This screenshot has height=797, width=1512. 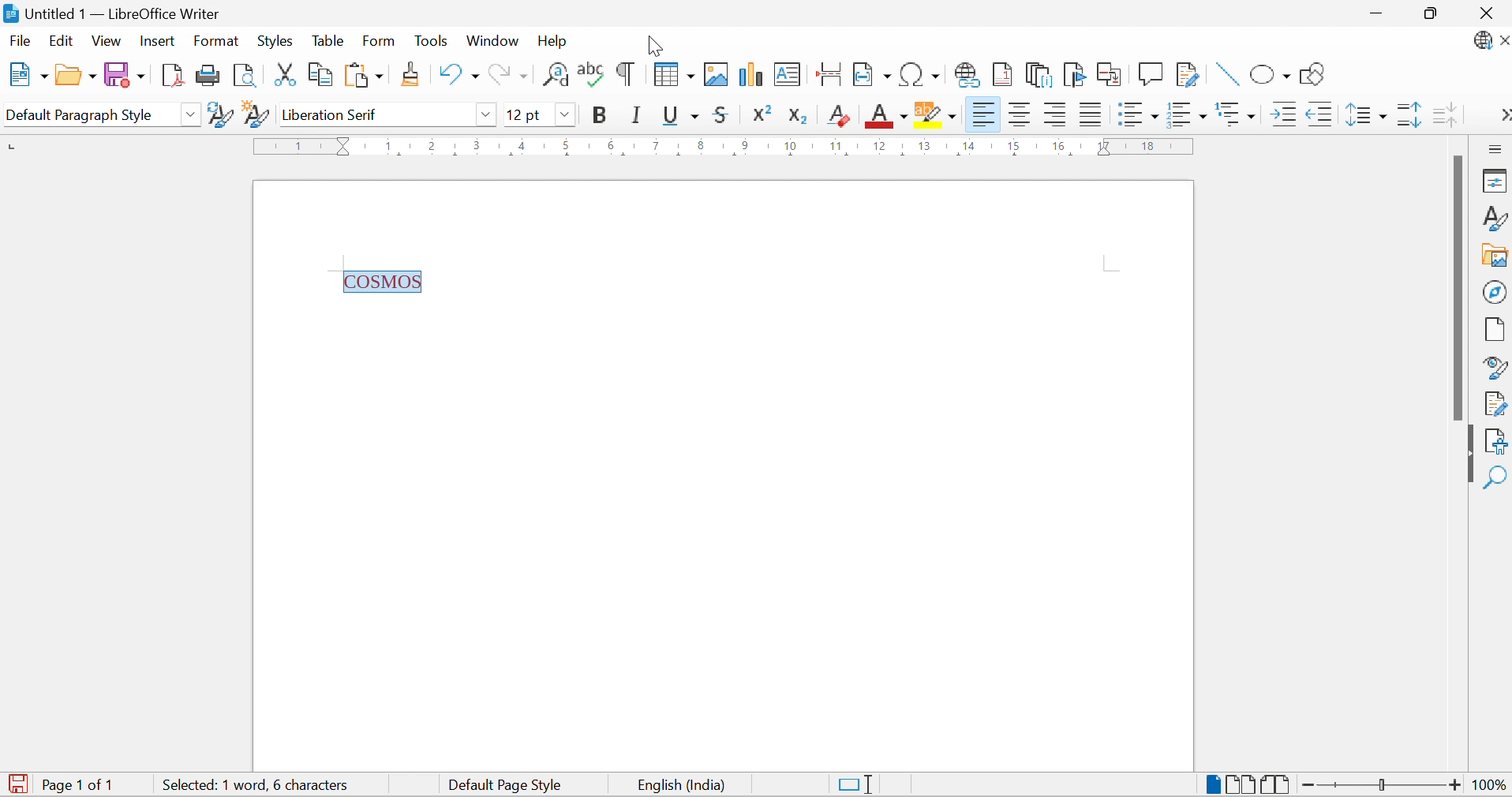 What do you see at coordinates (1495, 149) in the screenshot?
I see `Sidebar Settings` at bounding box center [1495, 149].